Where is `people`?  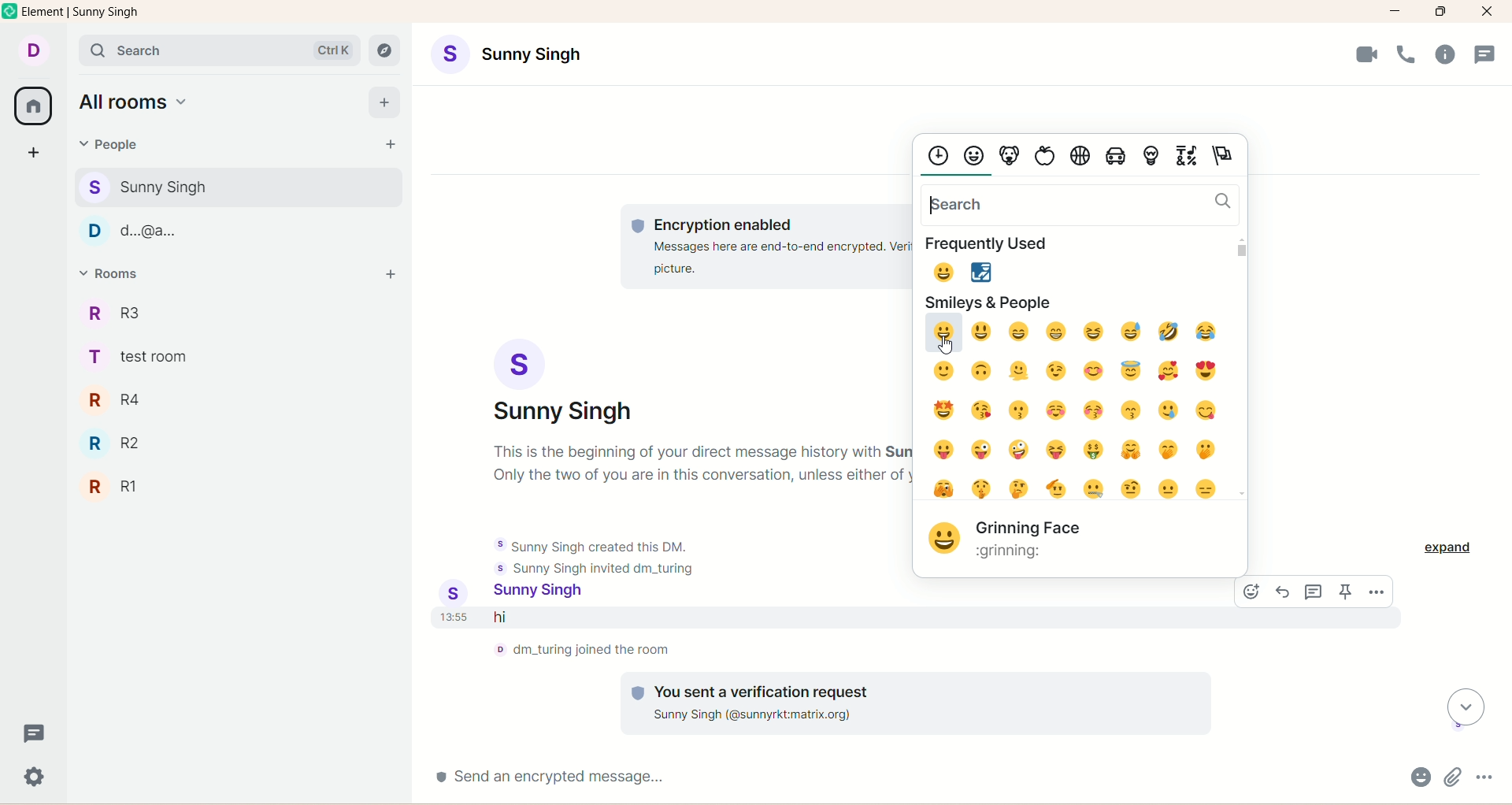
people is located at coordinates (106, 144).